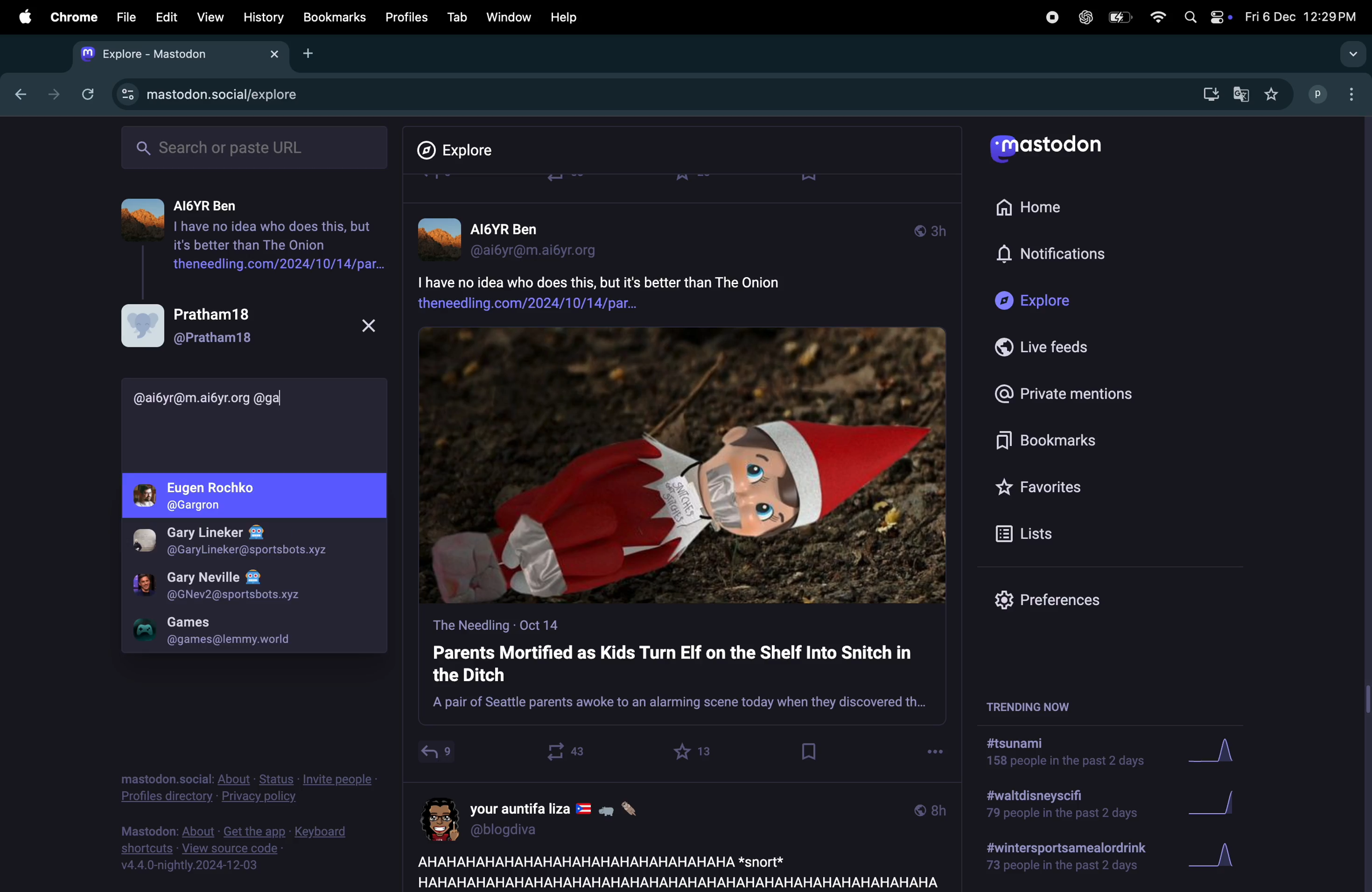 The image size is (1372, 892). Describe the element at coordinates (1051, 150) in the screenshot. I see `mastodon` at that location.